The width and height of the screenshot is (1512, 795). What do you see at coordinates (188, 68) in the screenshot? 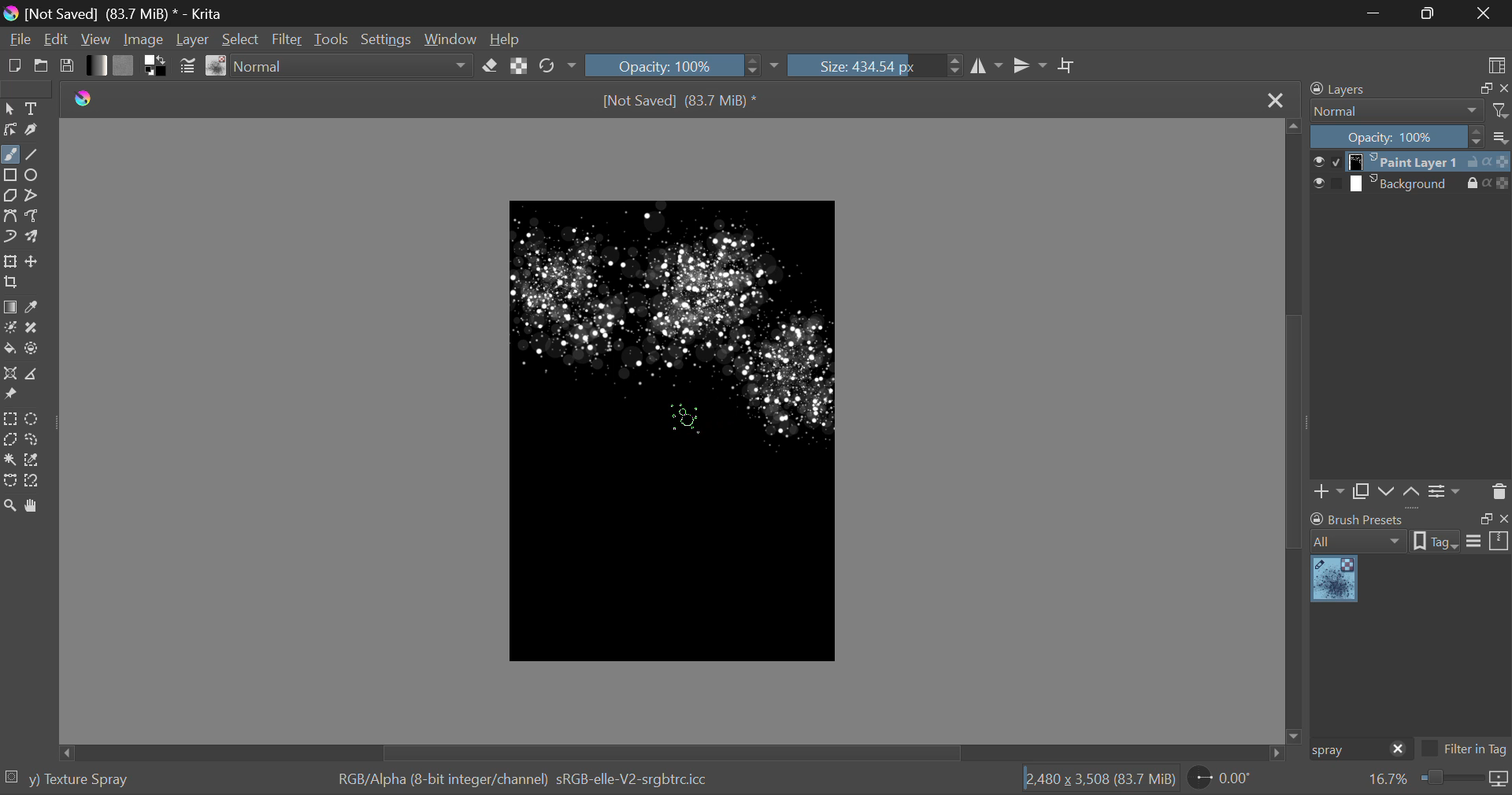
I see `Brush Settings` at bounding box center [188, 68].